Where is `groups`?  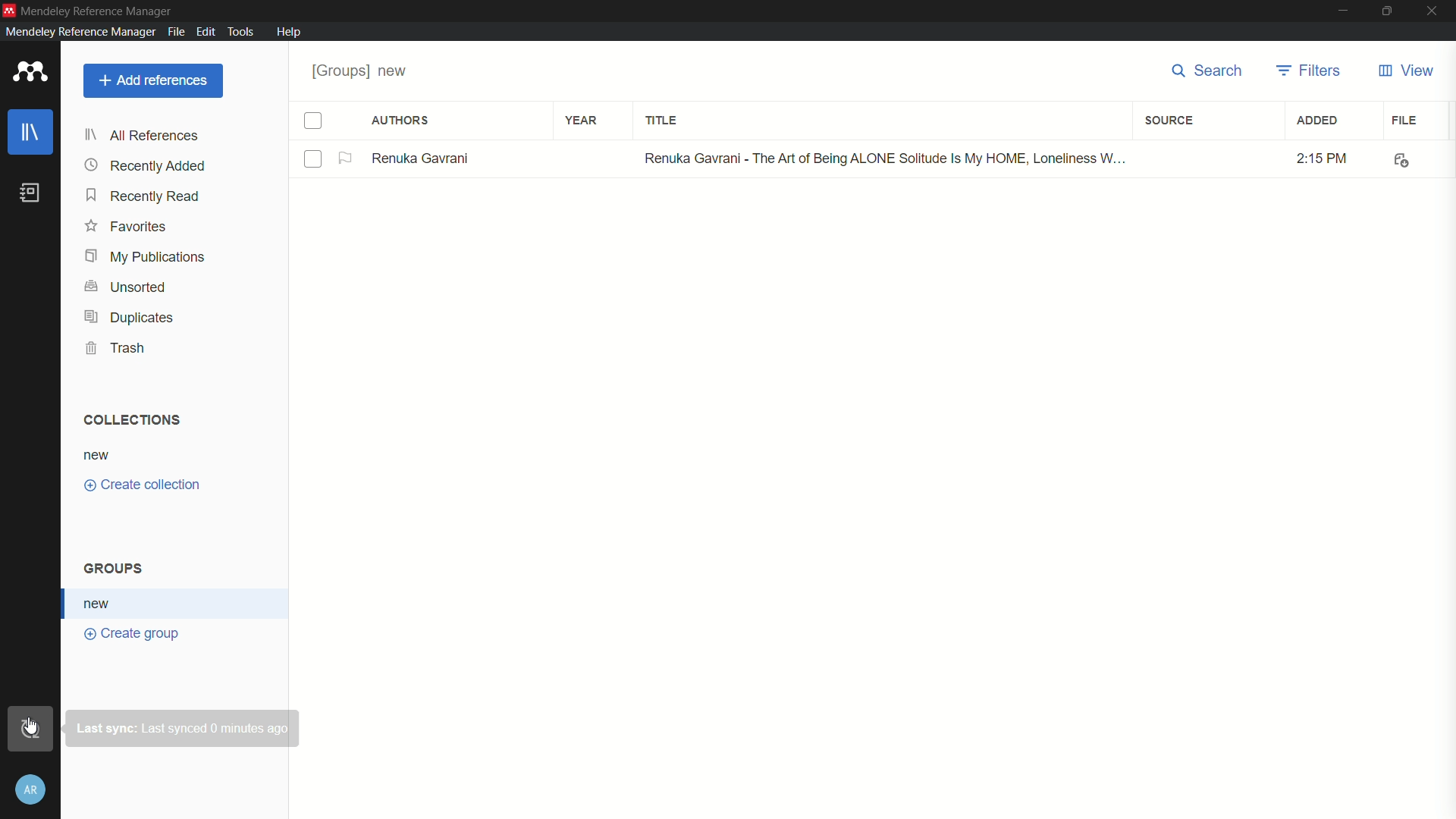 groups is located at coordinates (117, 567).